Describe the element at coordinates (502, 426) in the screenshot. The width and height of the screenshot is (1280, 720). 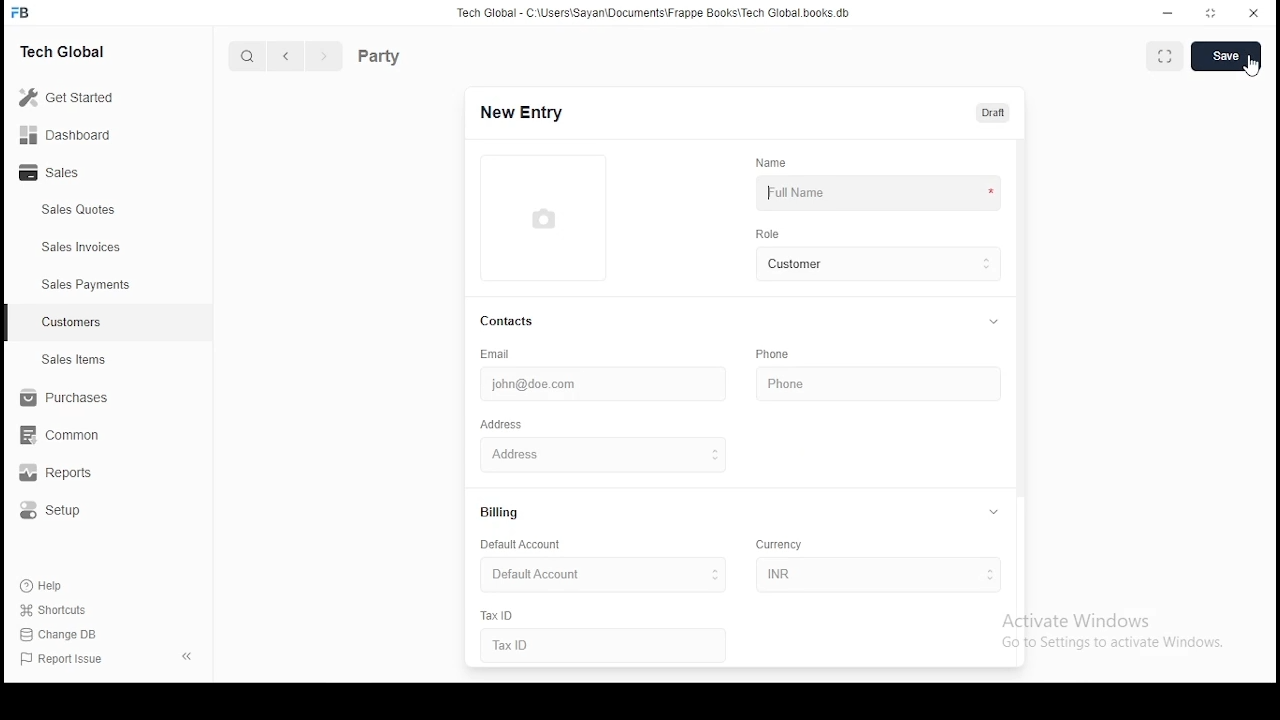
I see `address` at that location.